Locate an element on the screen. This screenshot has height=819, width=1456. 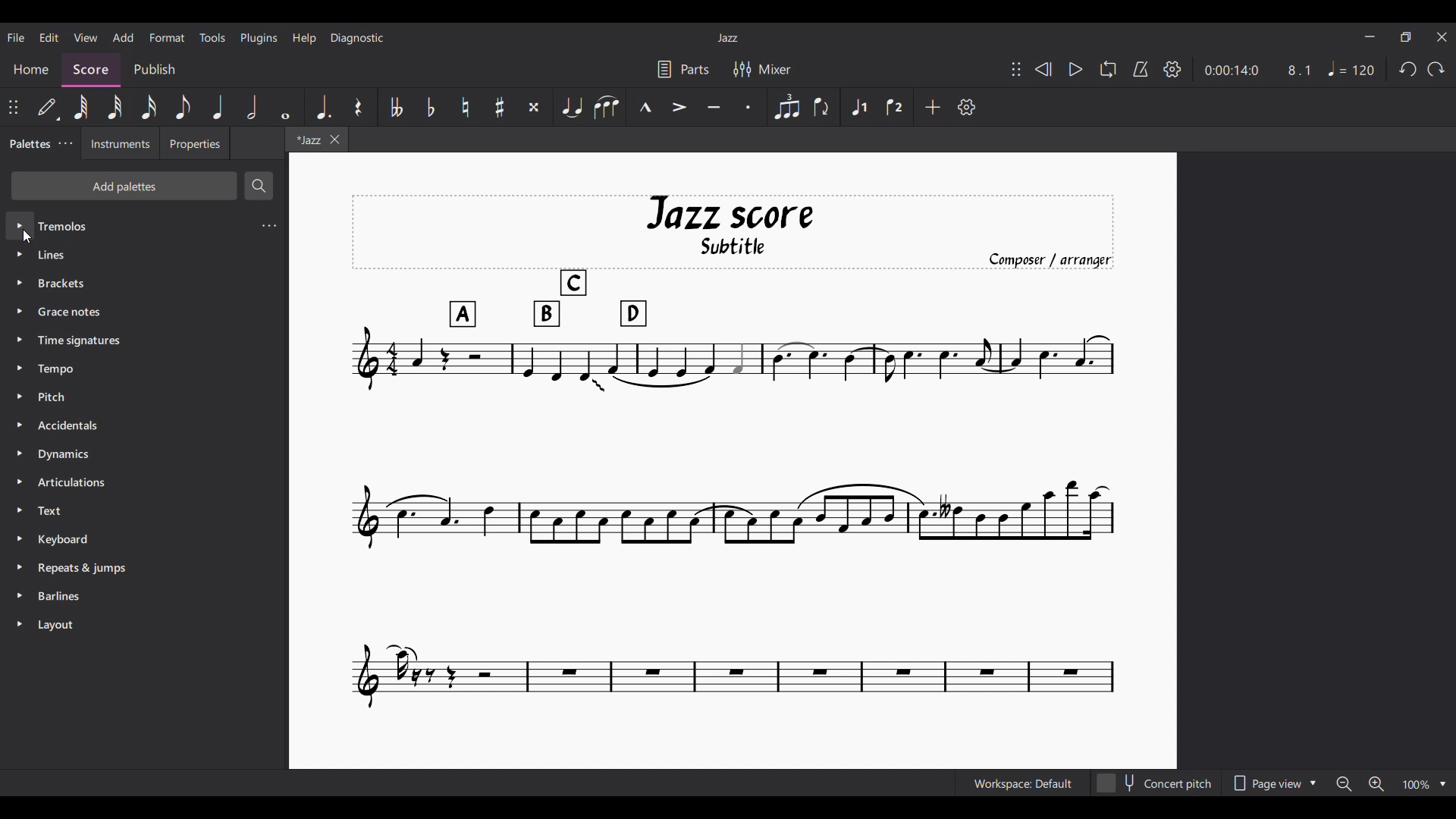
Accent is located at coordinates (679, 107).